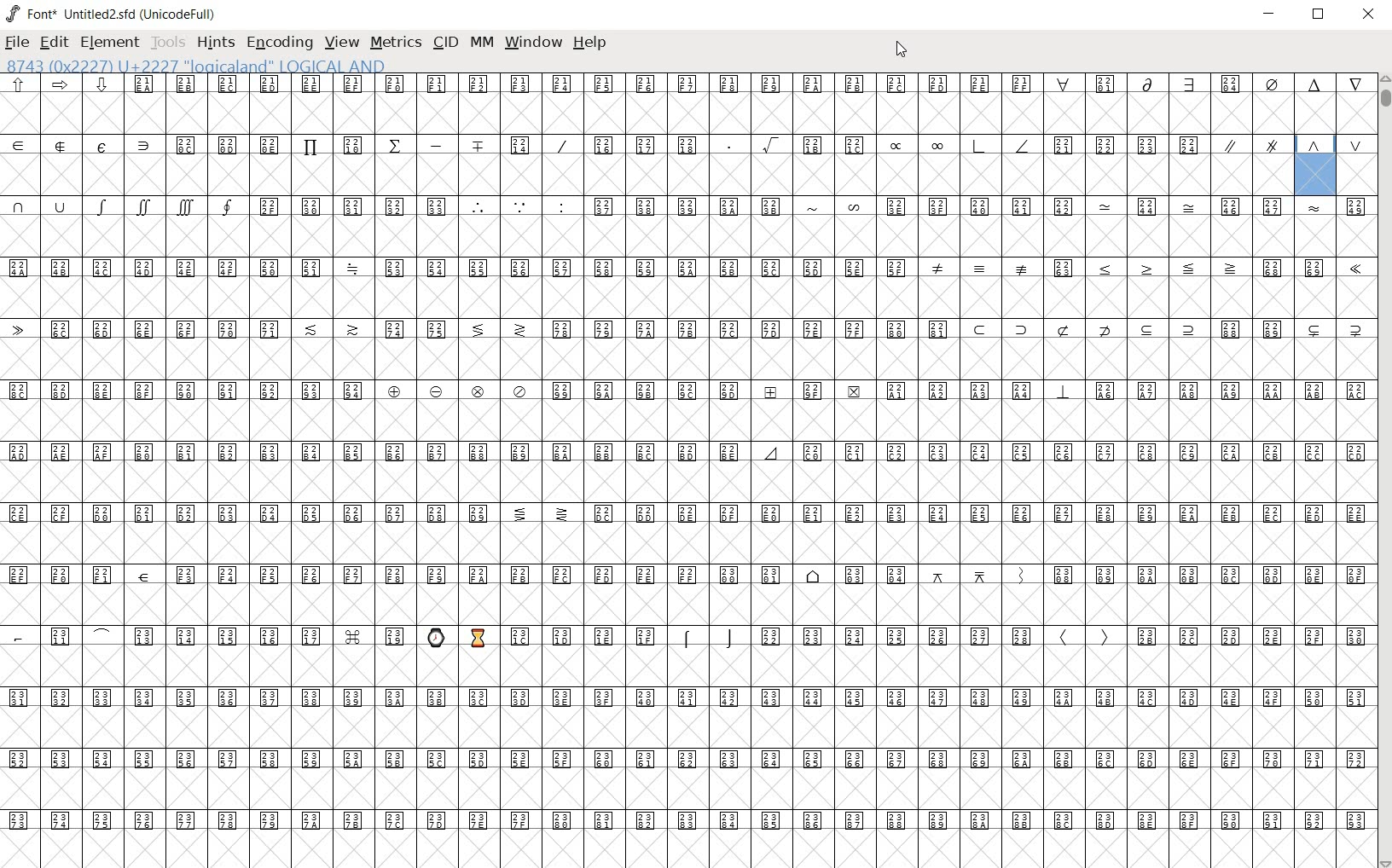  I want to click on element, so click(109, 43).